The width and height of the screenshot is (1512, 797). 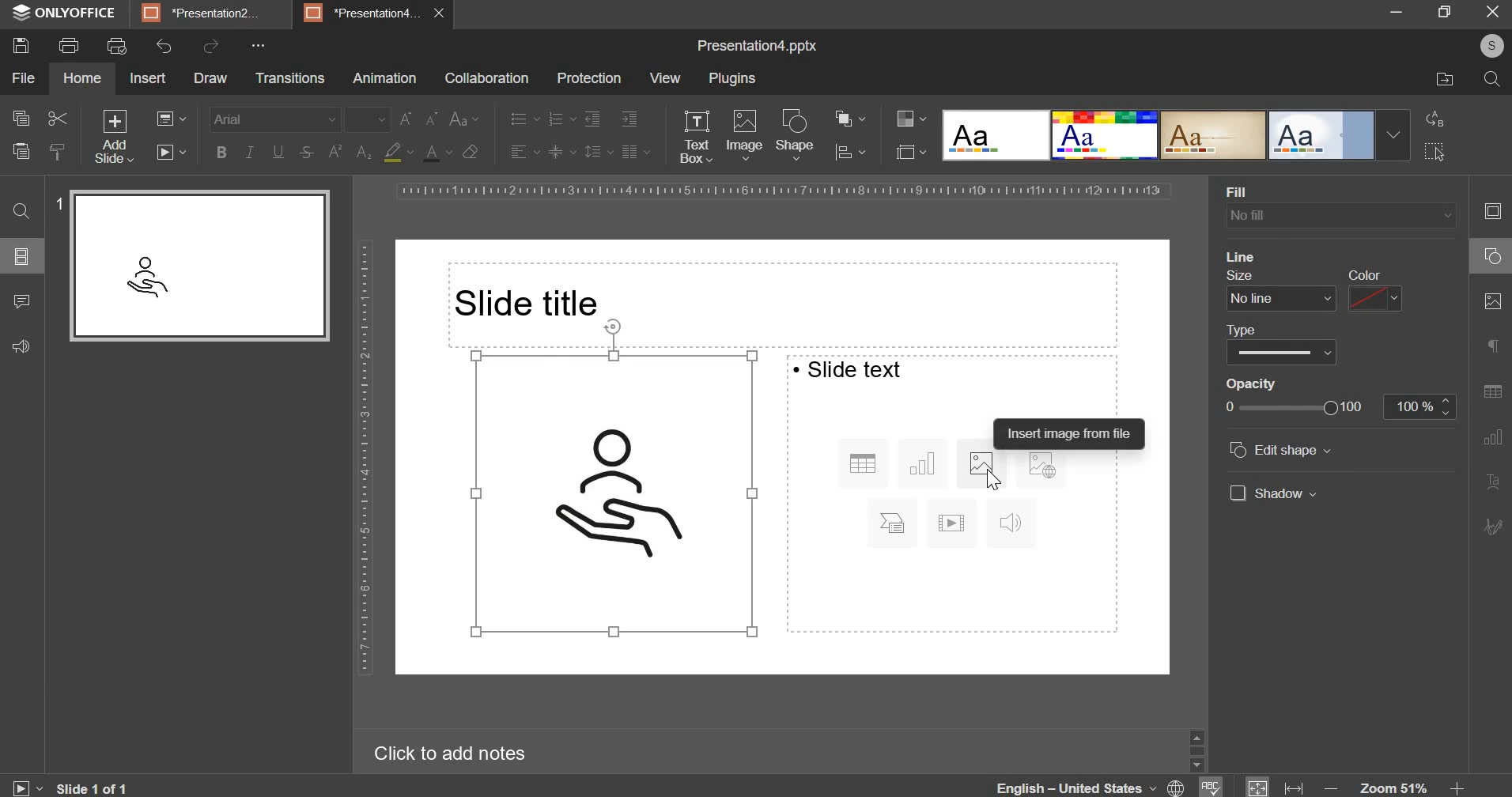 I want to click on opacity, so click(x=1251, y=385).